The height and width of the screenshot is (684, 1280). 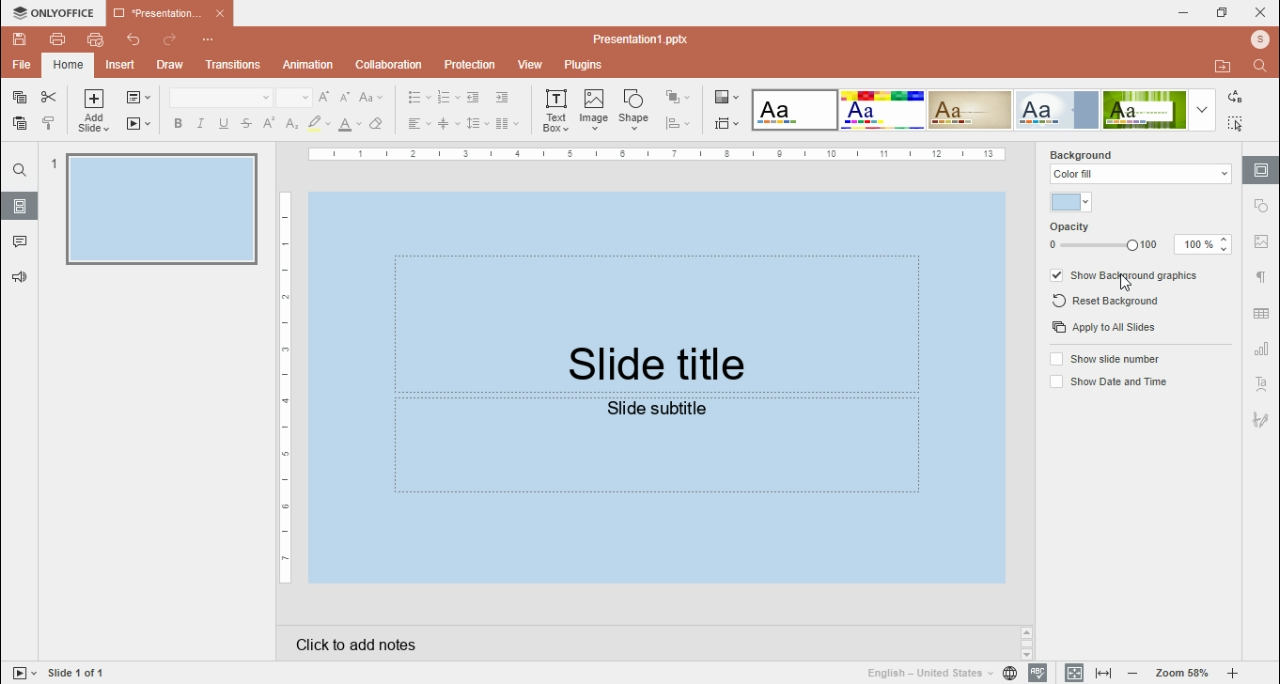 What do you see at coordinates (17, 277) in the screenshot?
I see `feedback & support` at bounding box center [17, 277].